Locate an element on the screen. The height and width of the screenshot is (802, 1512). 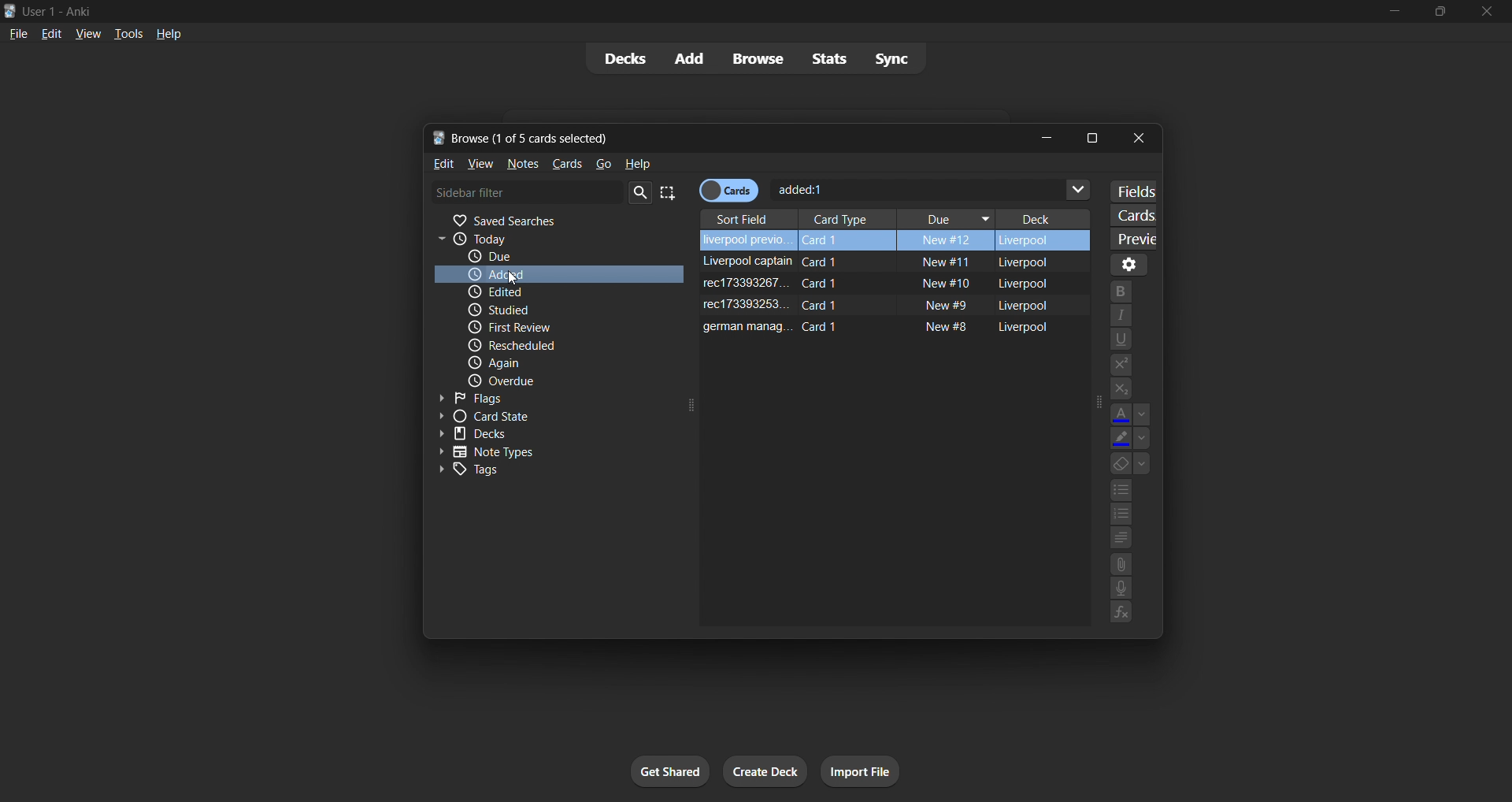
studied is located at coordinates (547, 309).